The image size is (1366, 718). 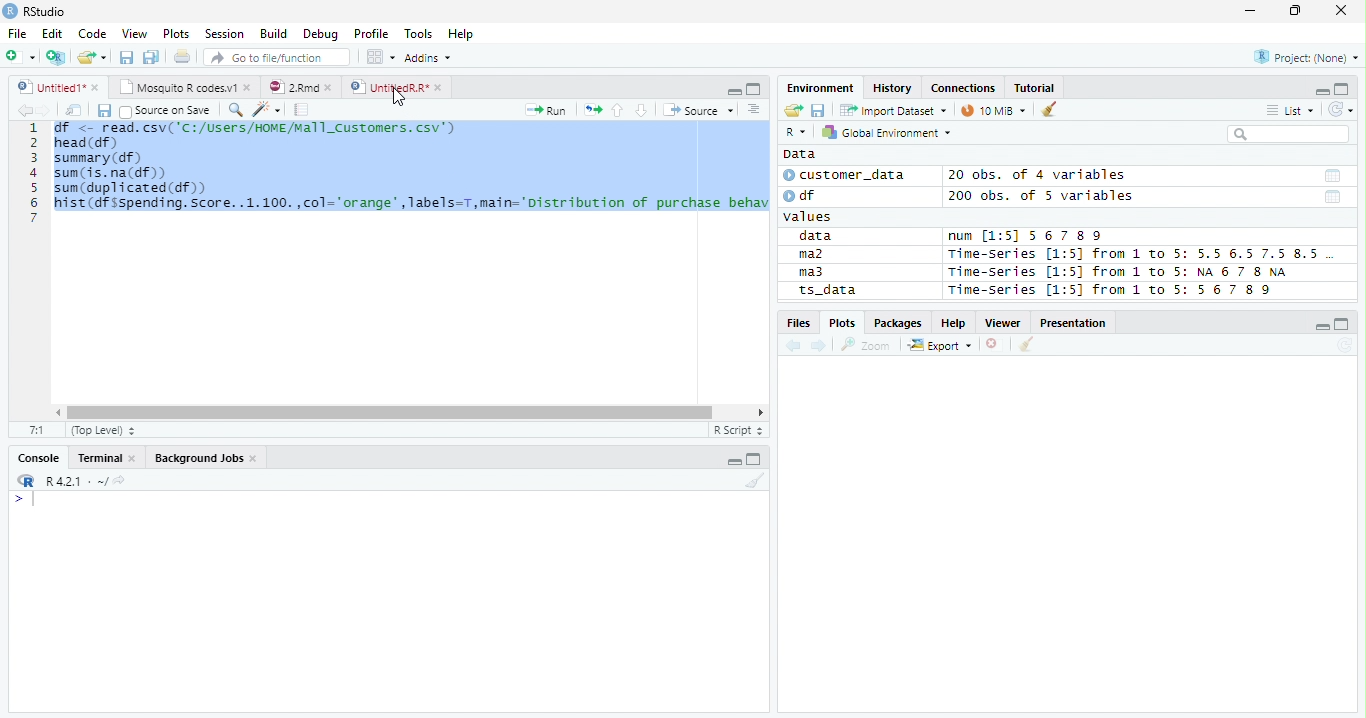 What do you see at coordinates (963, 88) in the screenshot?
I see `Connections` at bounding box center [963, 88].